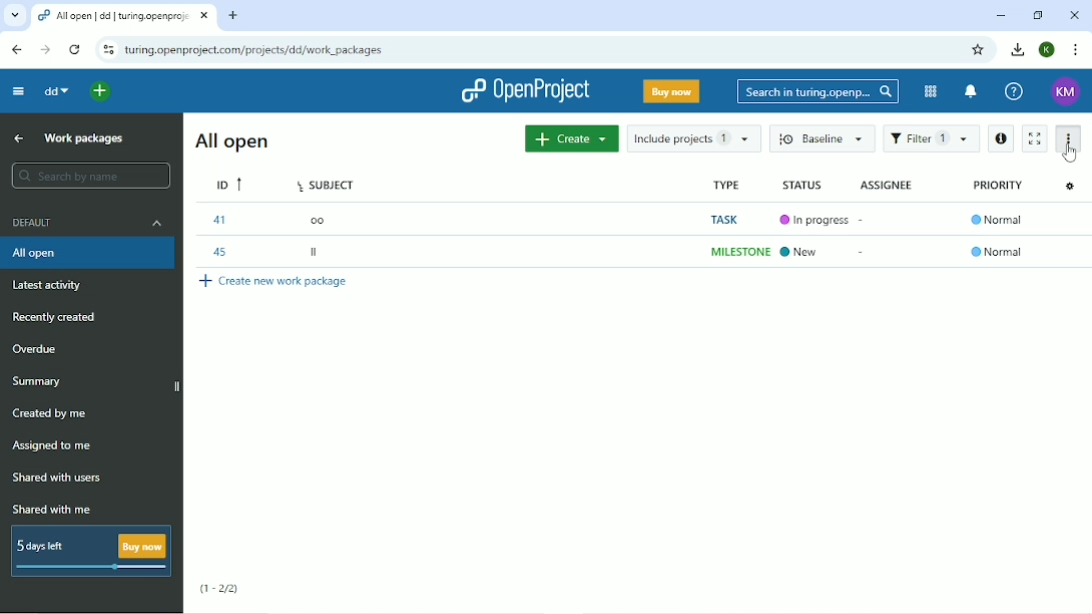 The image size is (1092, 614). What do you see at coordinates (1015, 91) in the screenshot?
I see `Help` at bounding box center [1015, 91].